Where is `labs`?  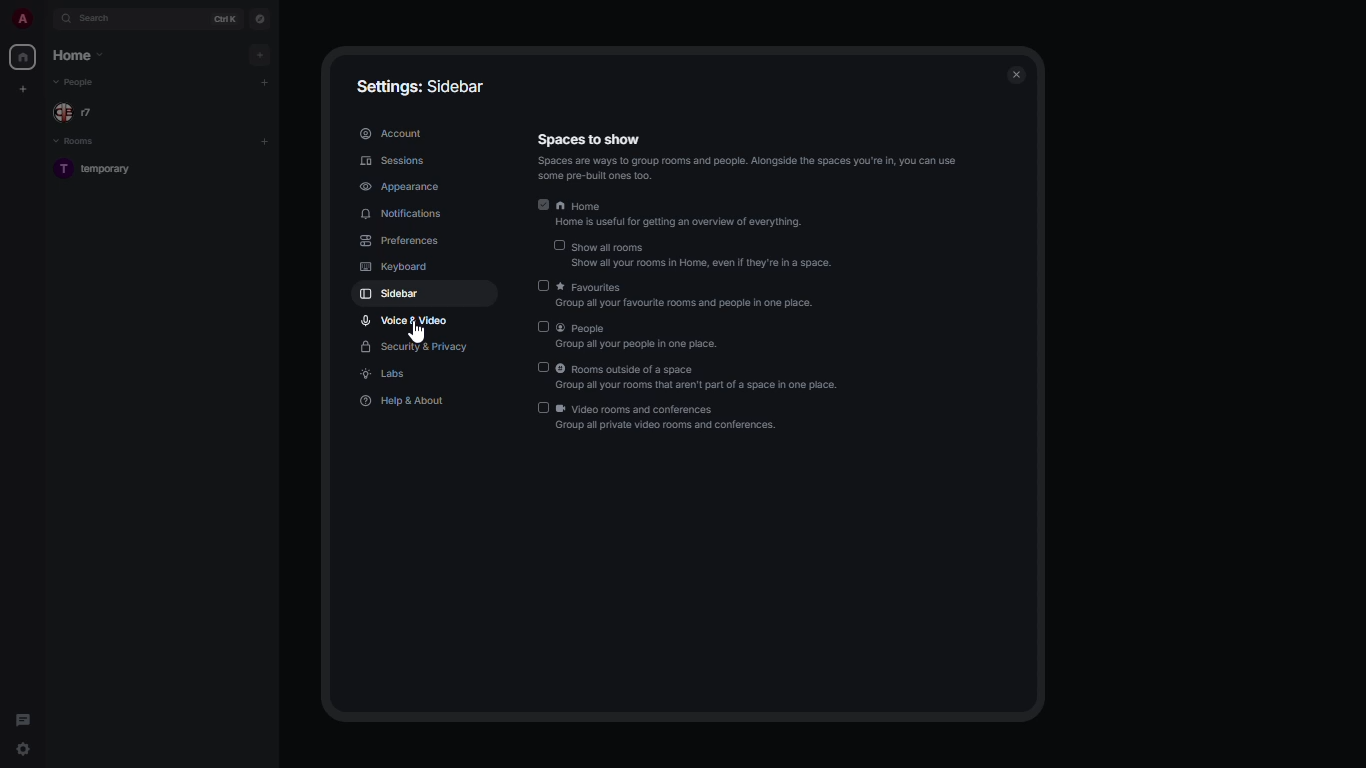
labs is located at coordinates (386, 376).